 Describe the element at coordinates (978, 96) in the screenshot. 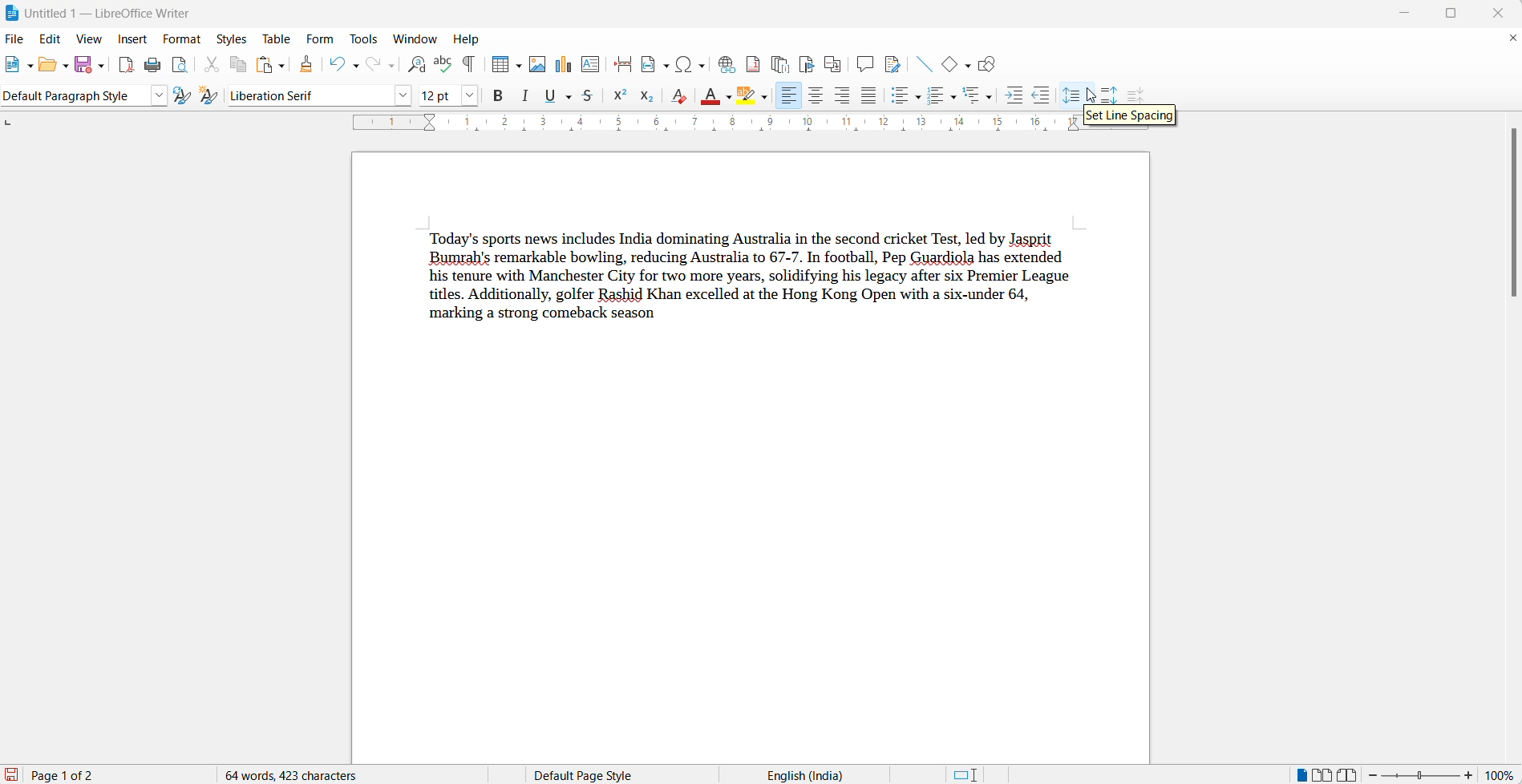

I see `select outline format` at that location.